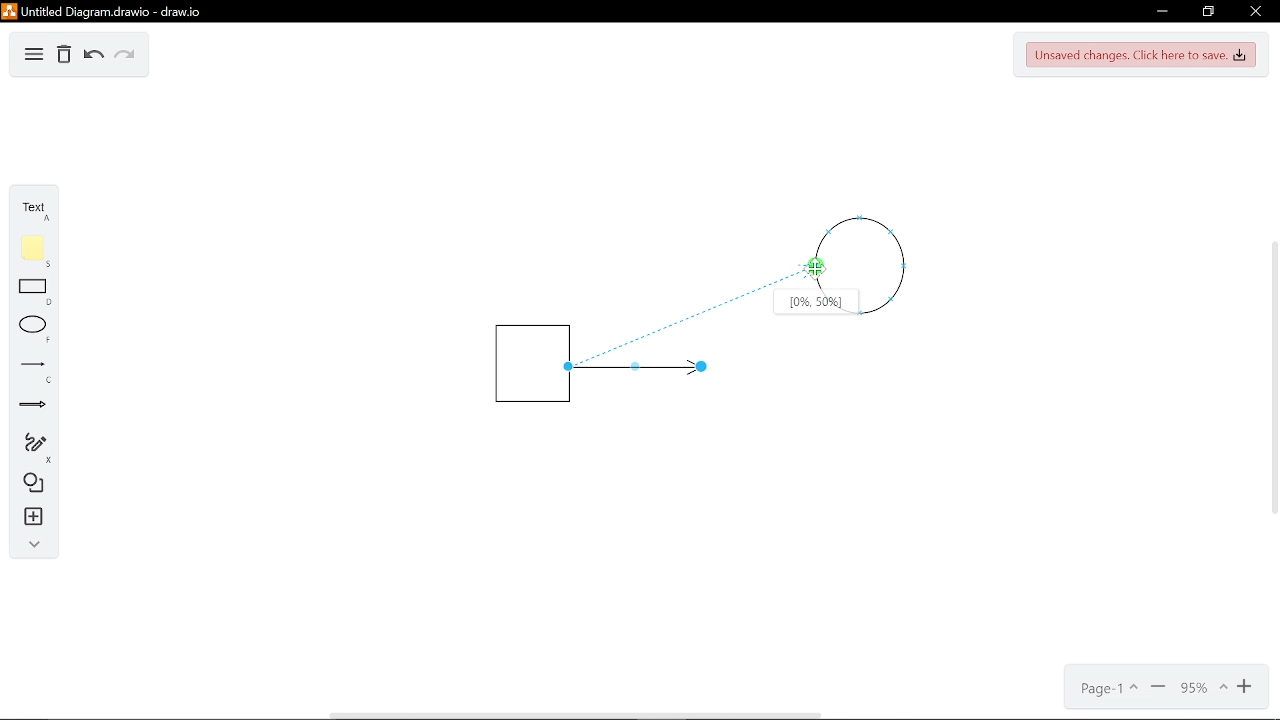 The image size is (1280, 720). I want to click on Current zoom, so click(1204, 687).